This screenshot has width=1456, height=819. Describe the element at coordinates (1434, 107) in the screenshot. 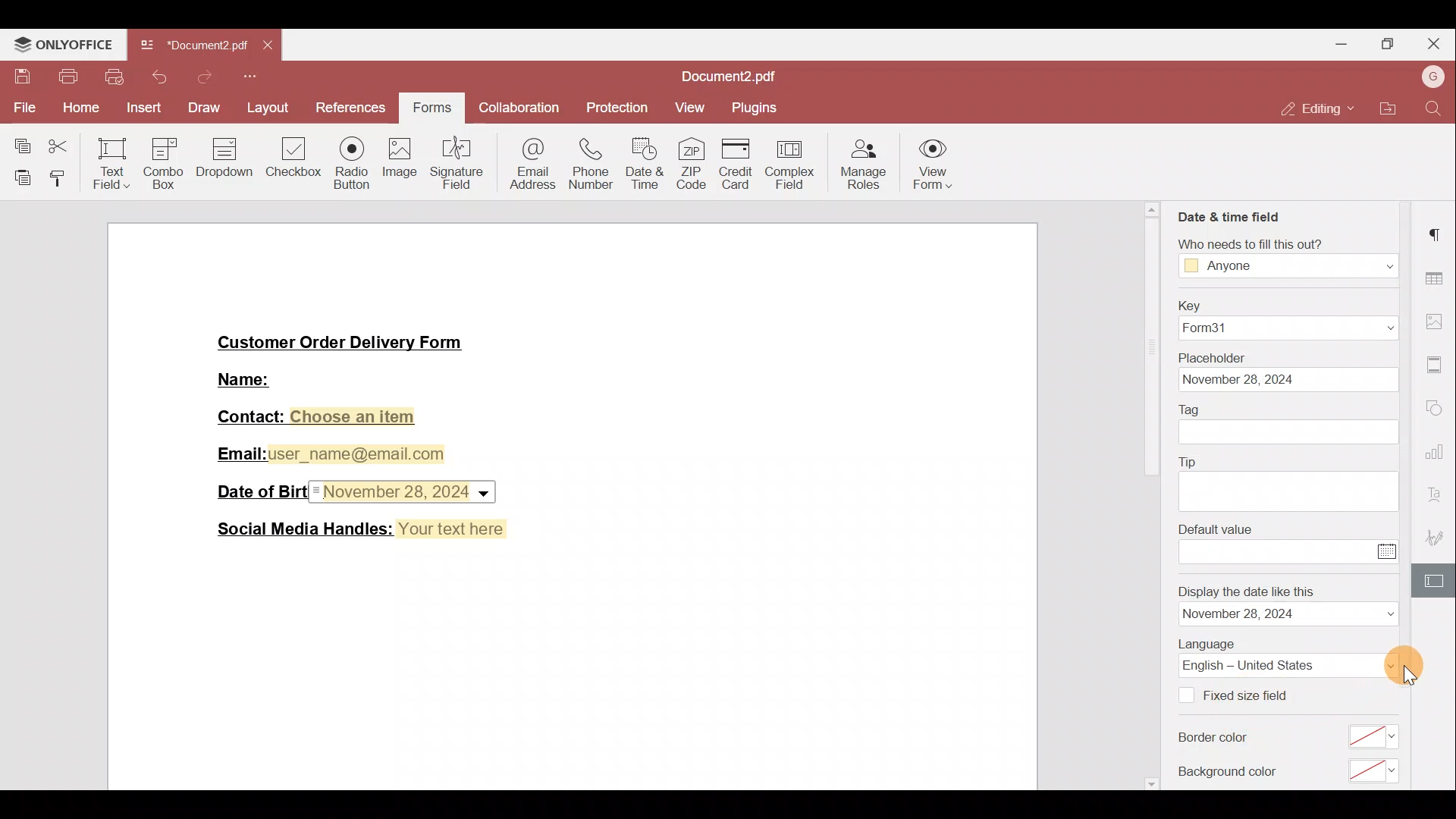

I see `Find` at that location.